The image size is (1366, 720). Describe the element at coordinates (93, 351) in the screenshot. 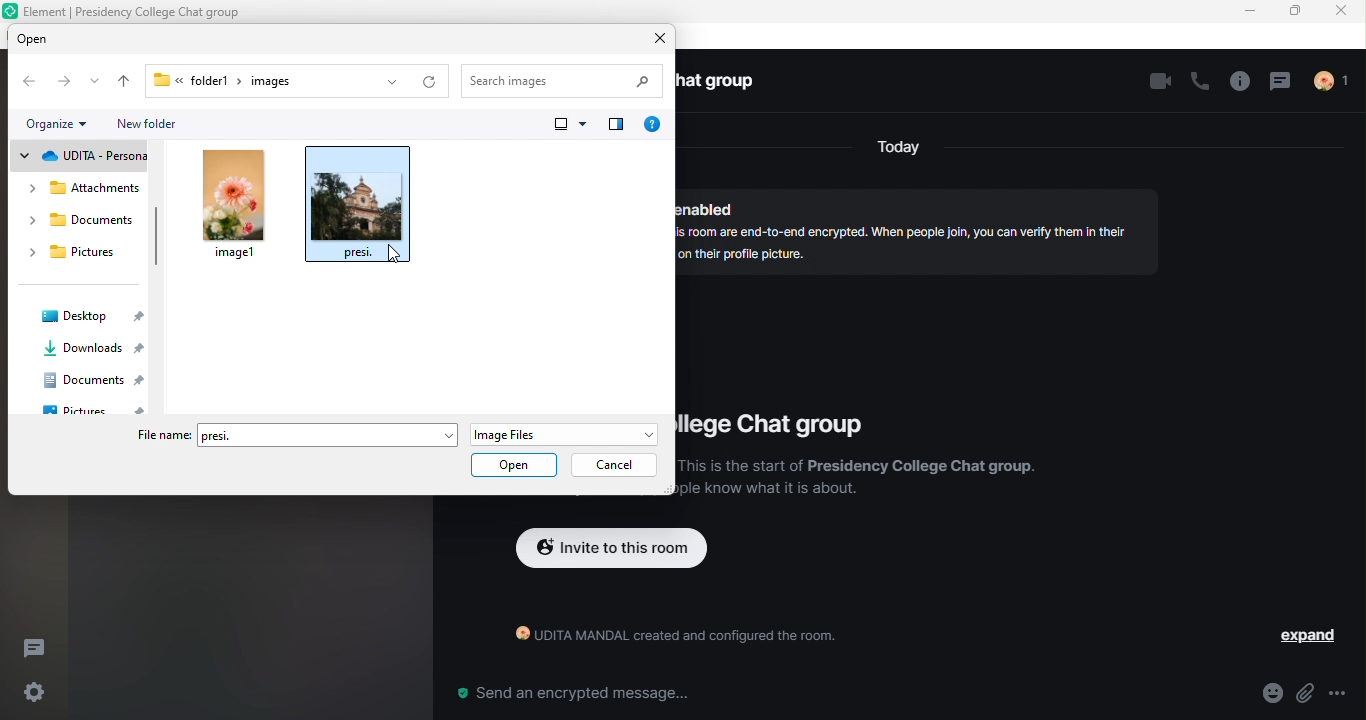

I see `downloads` at that location.